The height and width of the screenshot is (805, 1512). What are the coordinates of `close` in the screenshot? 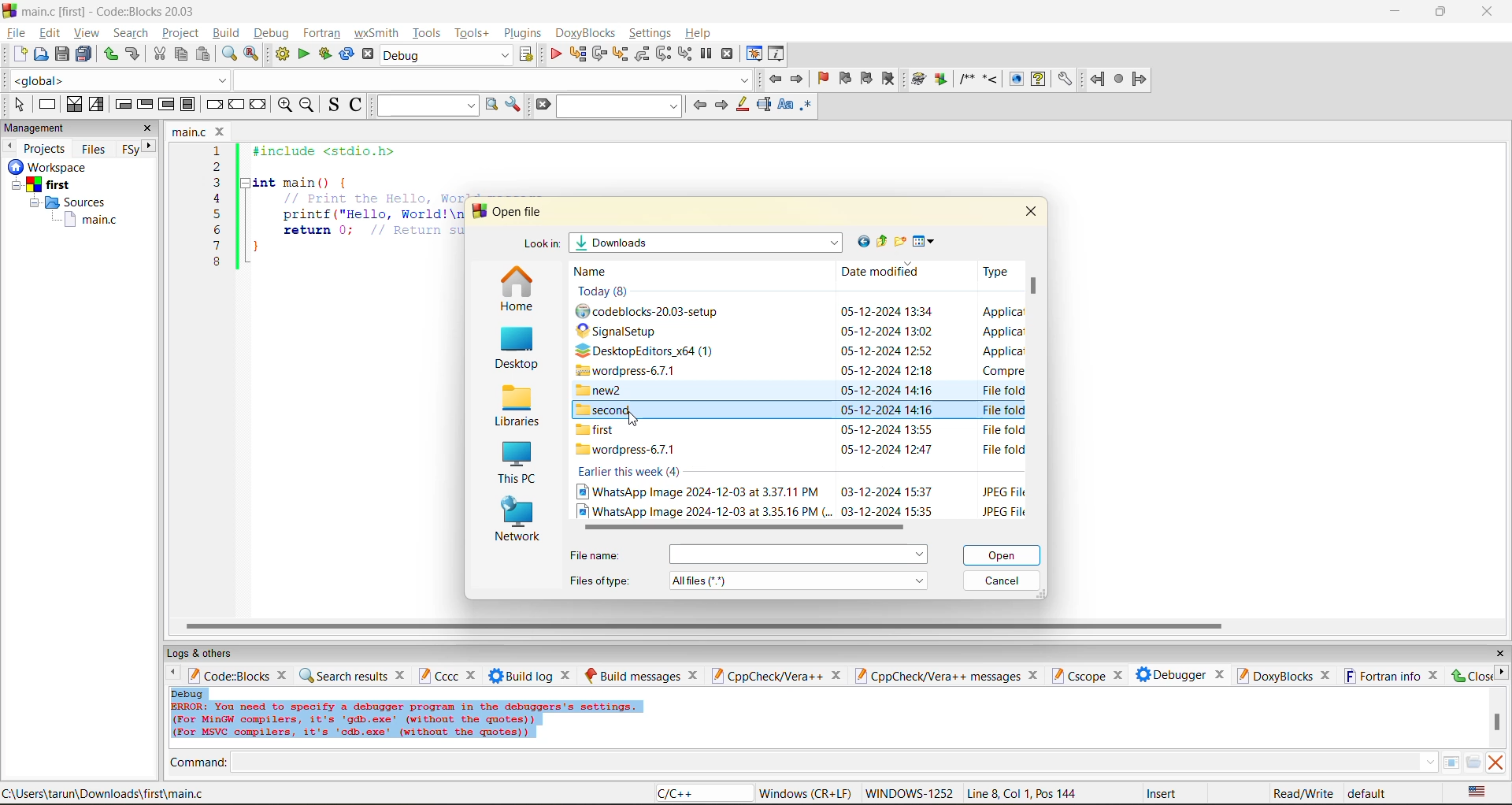 It's located at (694, 675).